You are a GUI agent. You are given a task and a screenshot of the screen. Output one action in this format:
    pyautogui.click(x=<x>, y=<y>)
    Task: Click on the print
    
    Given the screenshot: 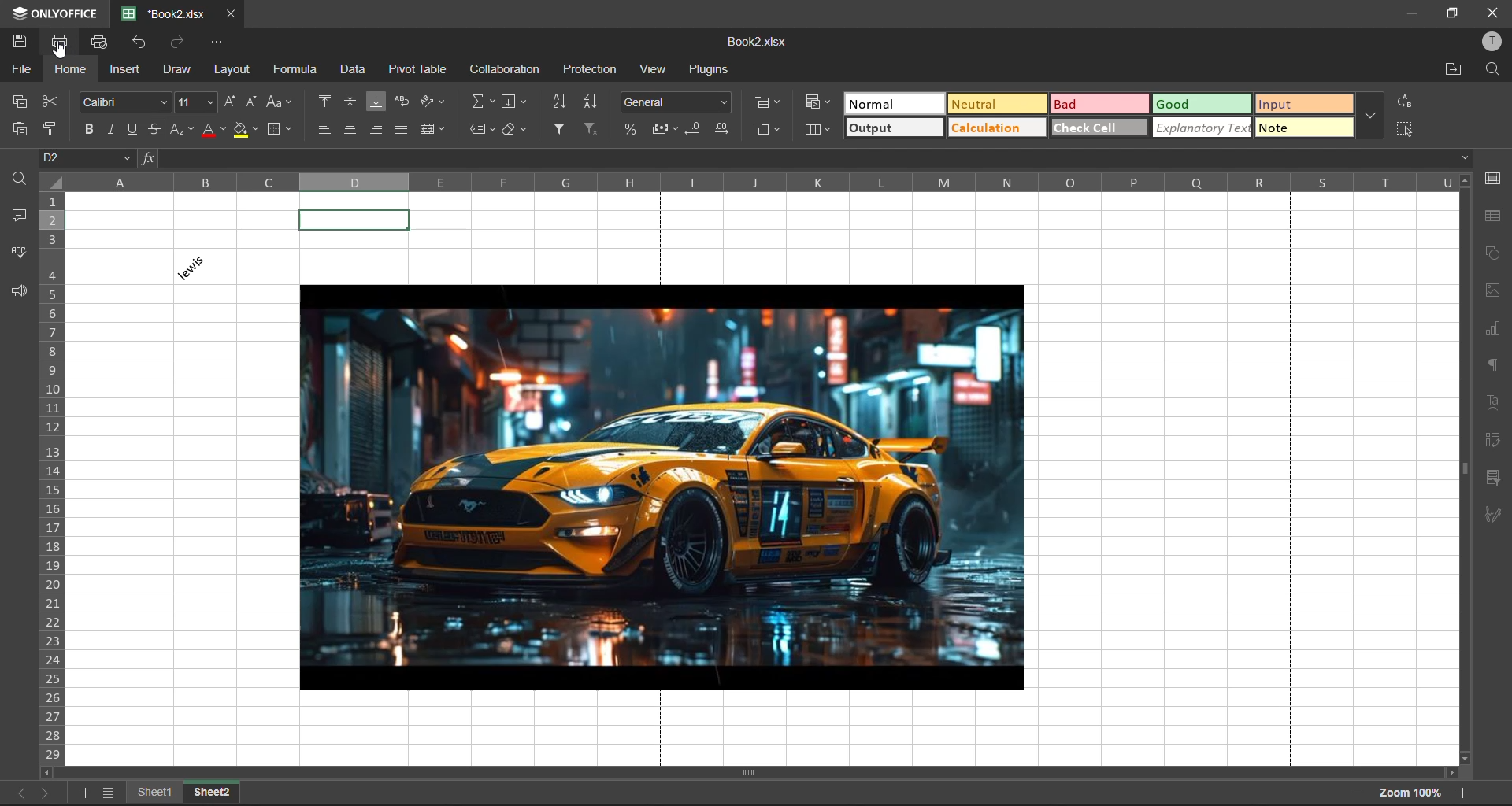 What is the action you would take?
    pyautogui.click(x=66, y=42)
    